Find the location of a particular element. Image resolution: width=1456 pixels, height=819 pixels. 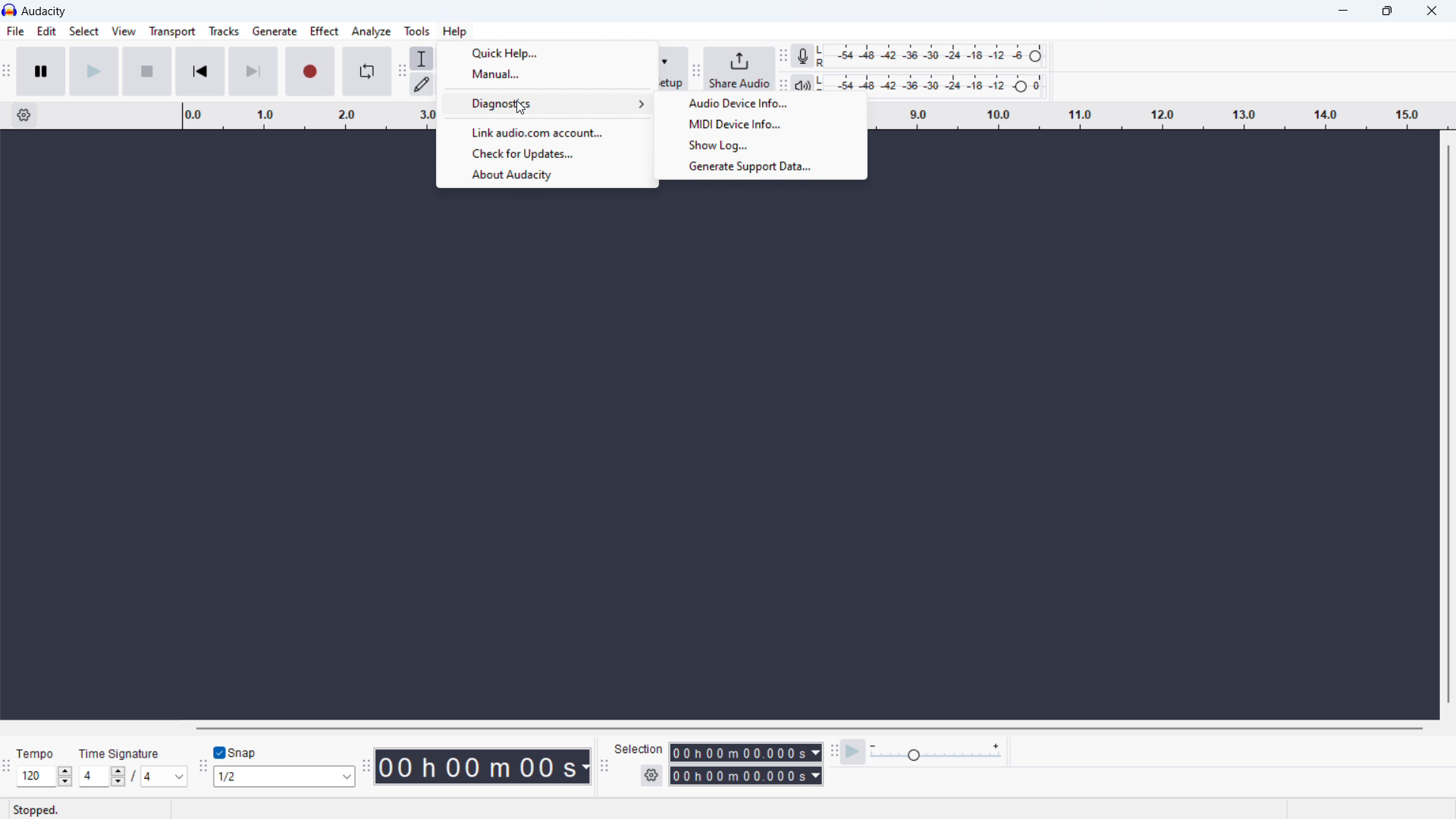

skip to last is located at coordinates (253, 71).